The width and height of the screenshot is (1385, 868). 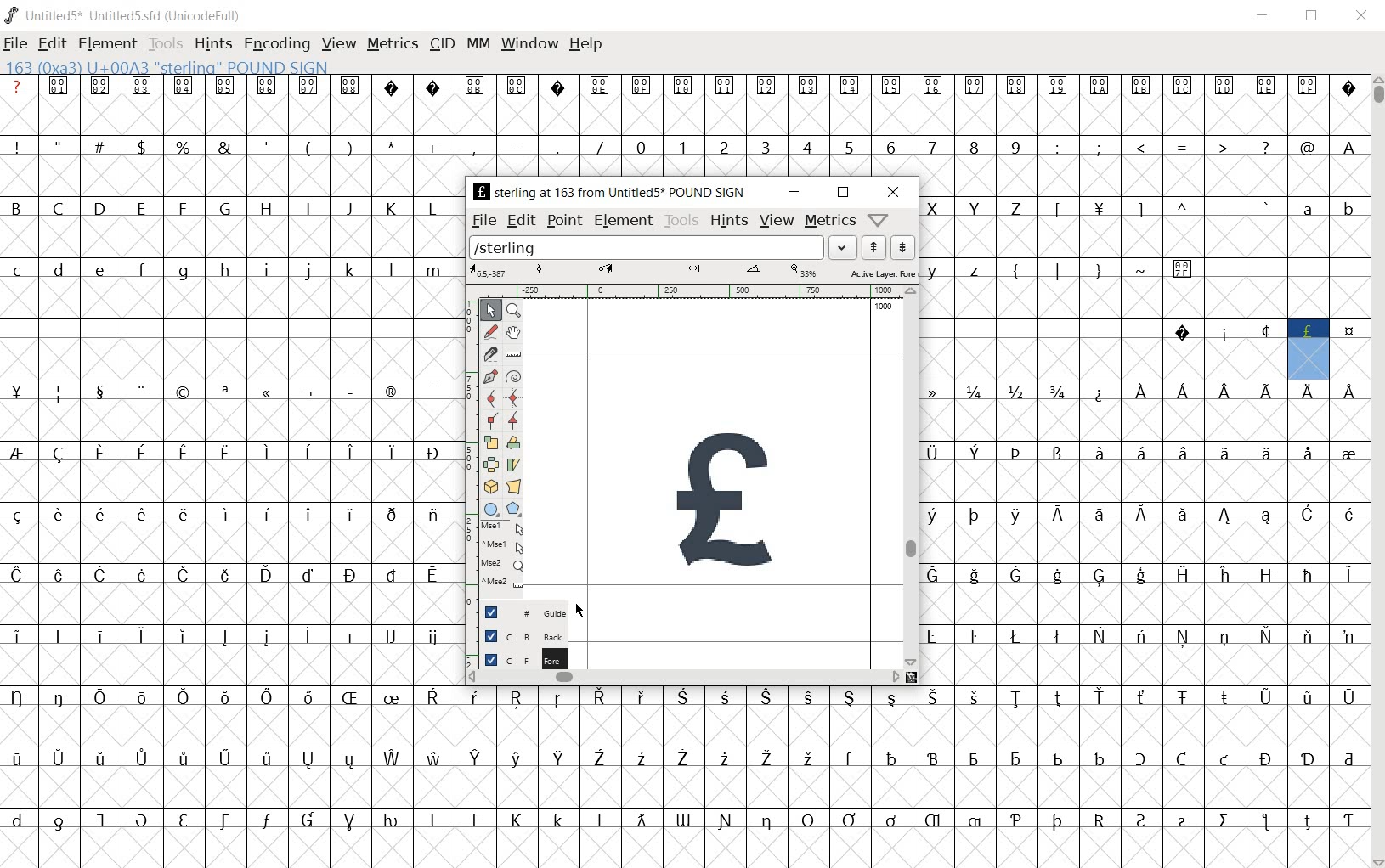 What do you see at coordinates (974, 576) in the screenshot?
I see `Symbol` at bounding box center [974, 576].